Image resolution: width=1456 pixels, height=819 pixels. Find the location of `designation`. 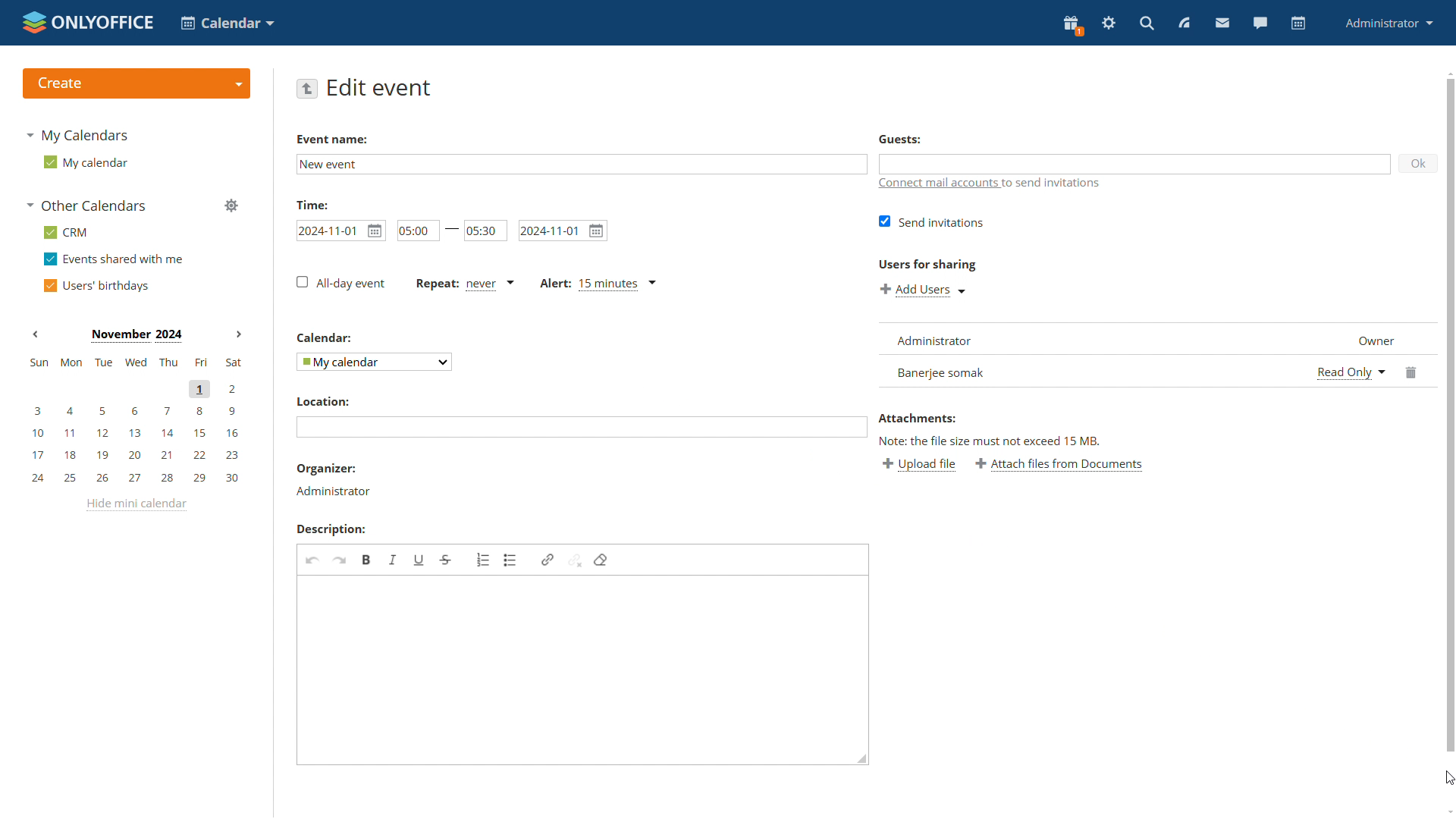

designation is located at coordinates (1369, 337).